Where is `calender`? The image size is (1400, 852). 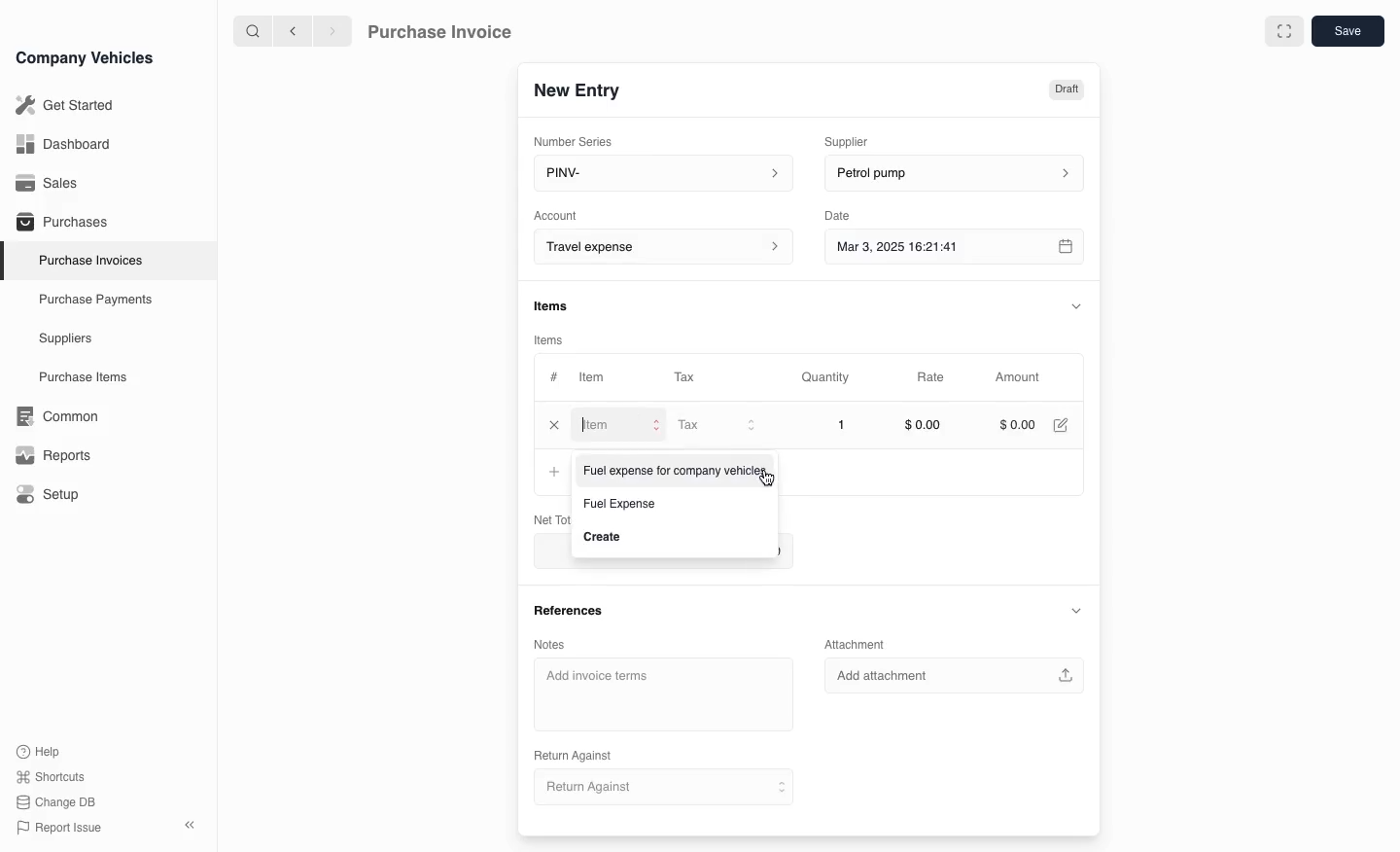 calender is located at coordinates (1067, 248).